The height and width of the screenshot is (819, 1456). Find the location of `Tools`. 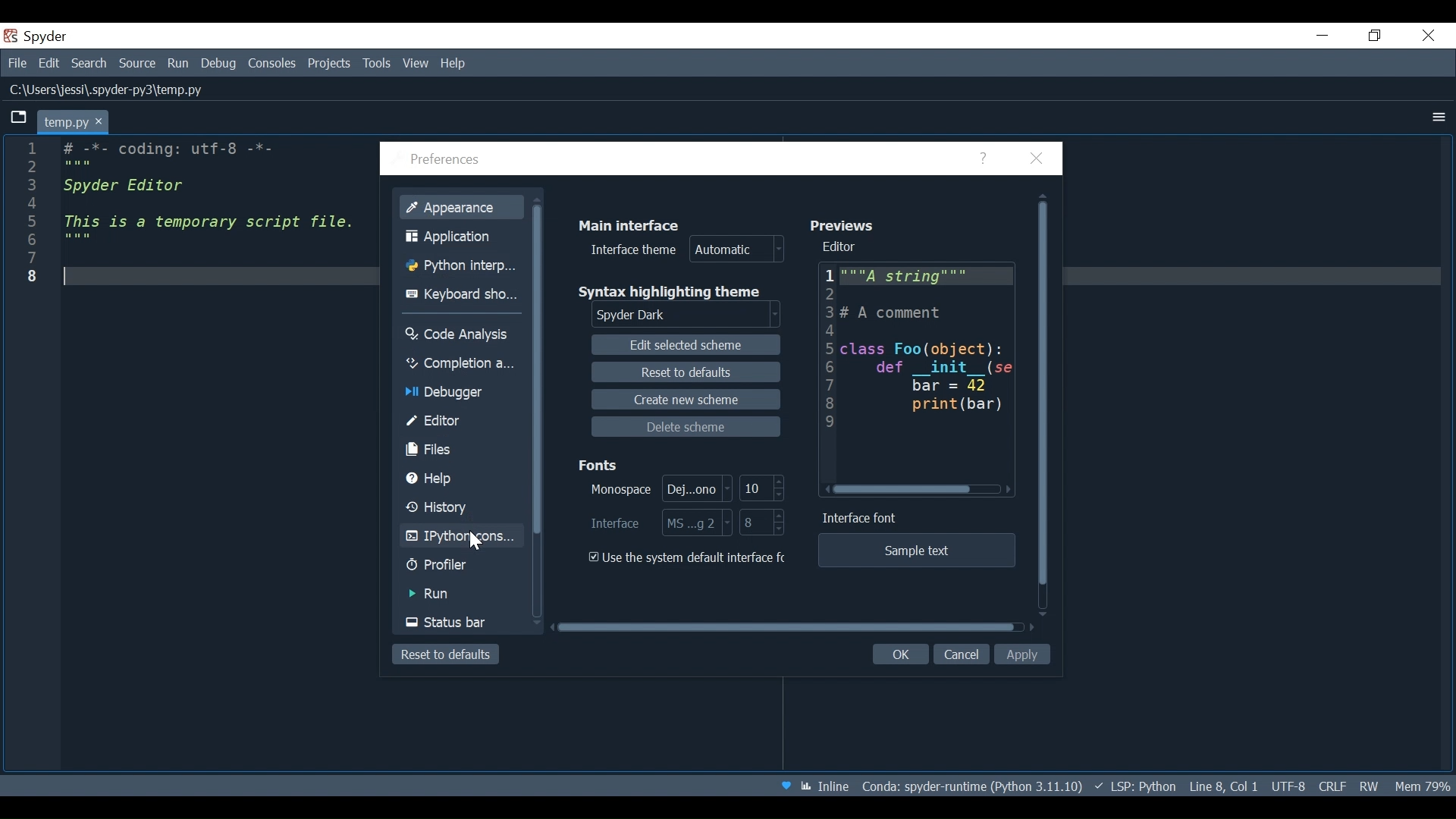

Tools is located at coordinates (378, 63).